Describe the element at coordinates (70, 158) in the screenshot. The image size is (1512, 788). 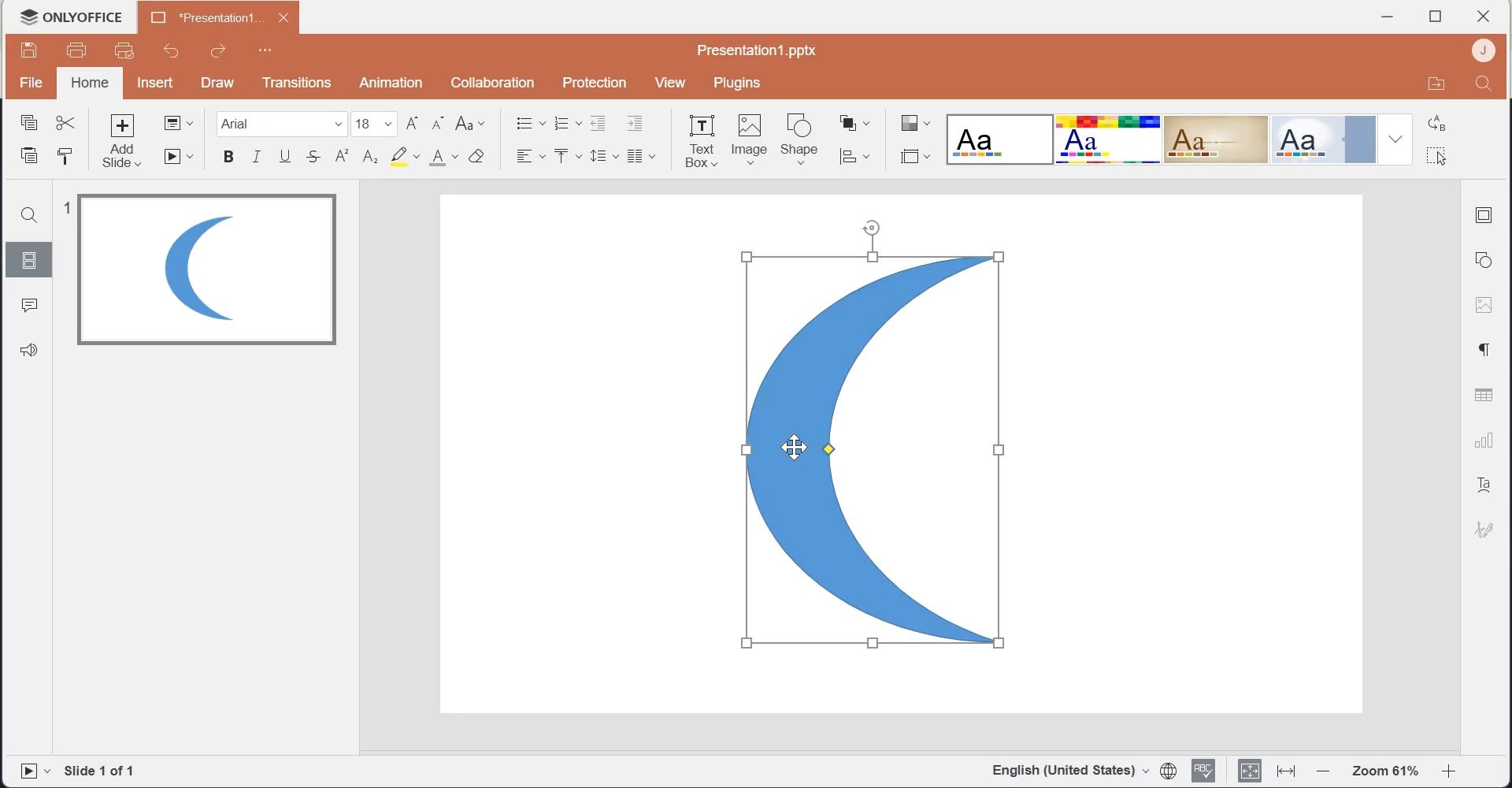
I see `Copy style` at that location.